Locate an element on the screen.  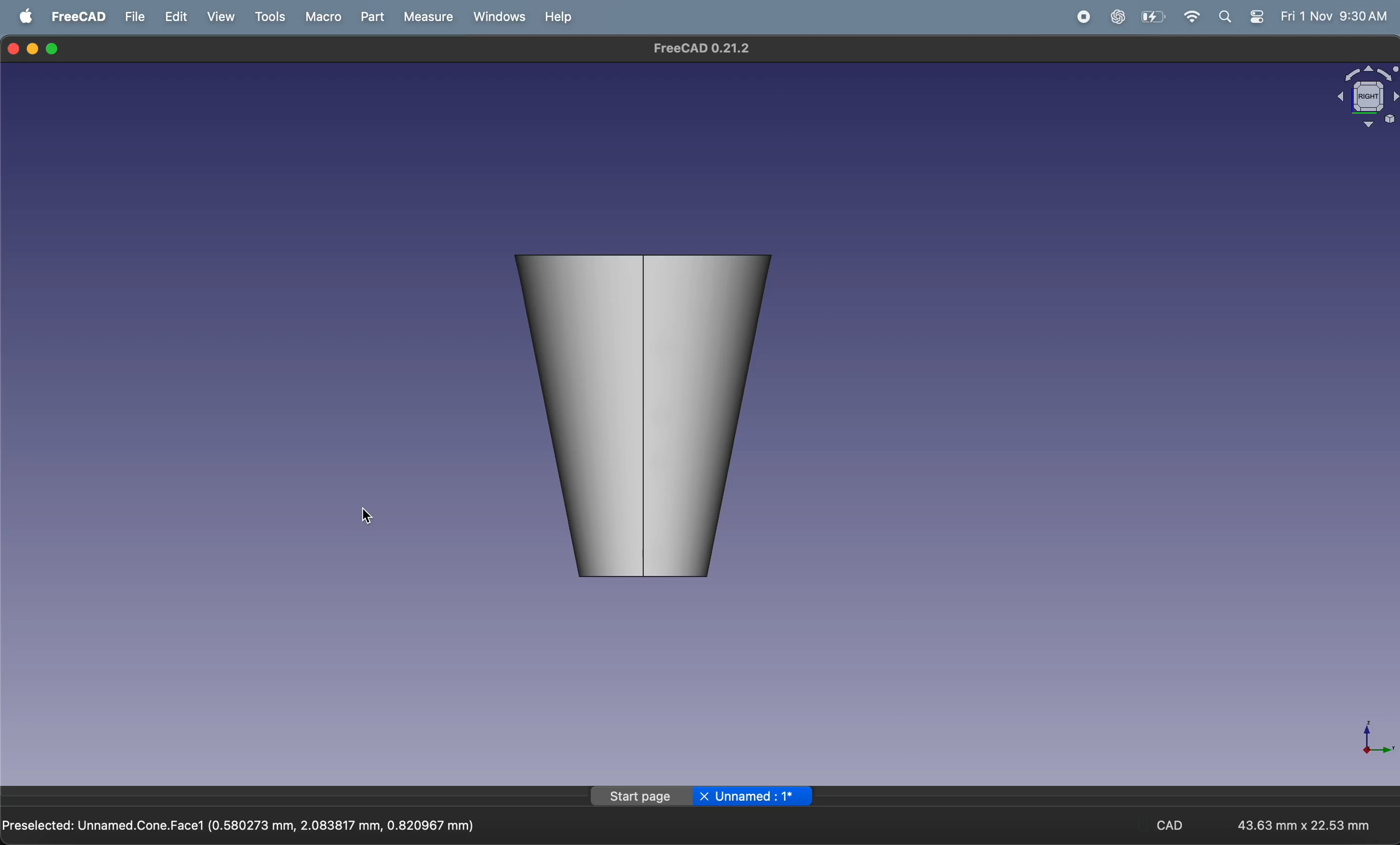
help is located at coordinates (557, 17).